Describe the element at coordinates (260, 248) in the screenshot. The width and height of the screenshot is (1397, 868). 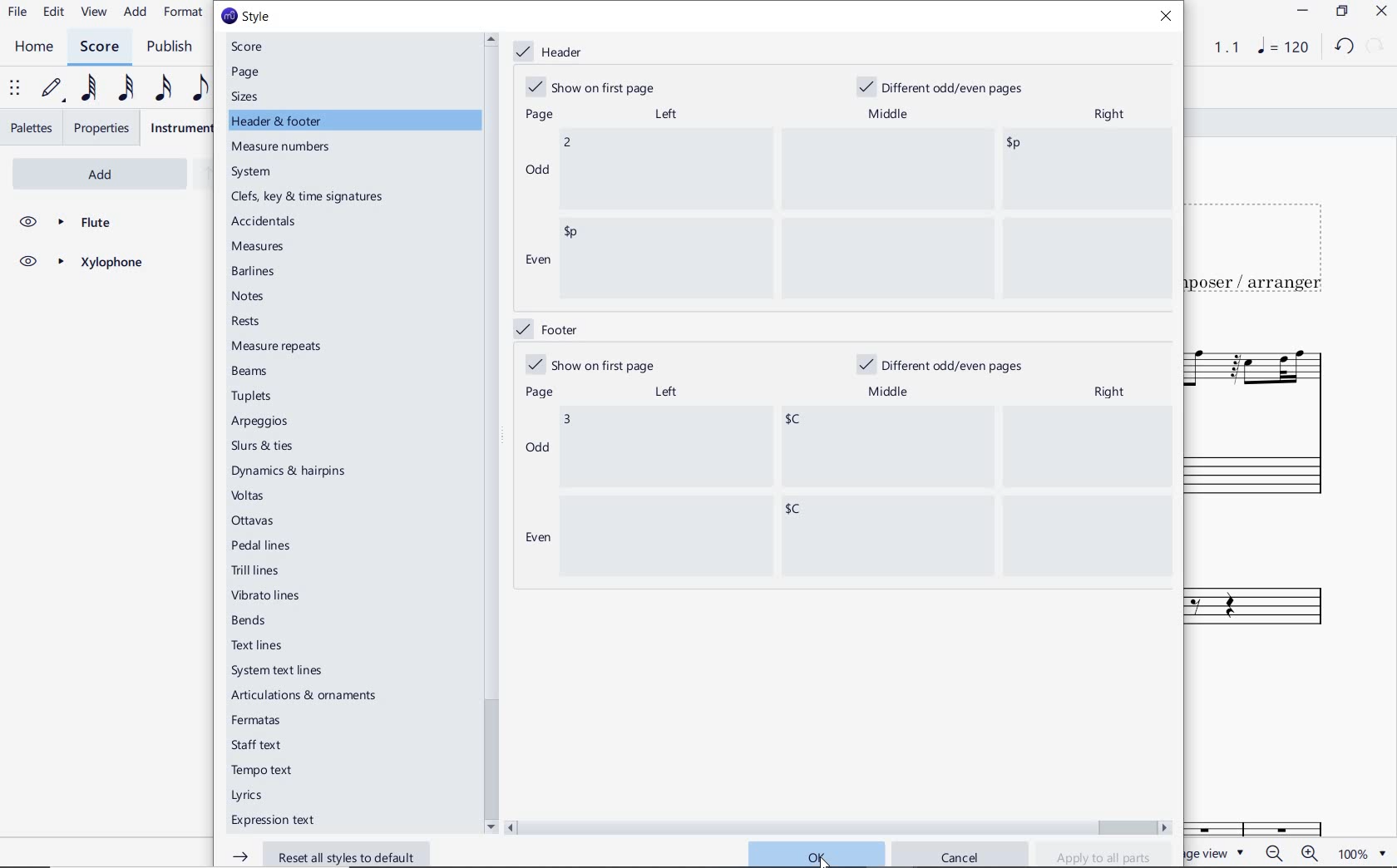
I see `measures` at that location.